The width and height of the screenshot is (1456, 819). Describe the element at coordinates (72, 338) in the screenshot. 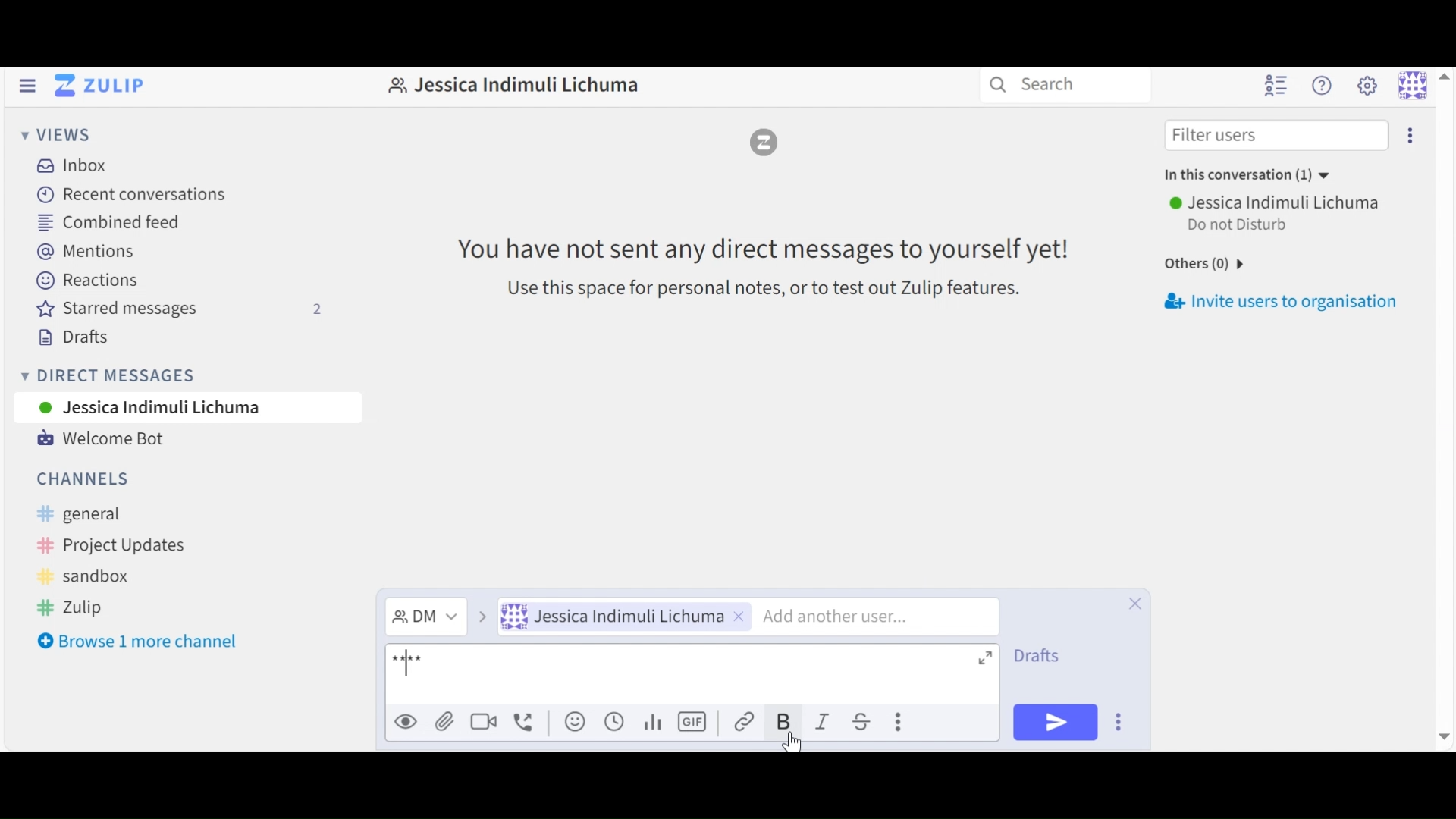

I see `Drafts` at that location.